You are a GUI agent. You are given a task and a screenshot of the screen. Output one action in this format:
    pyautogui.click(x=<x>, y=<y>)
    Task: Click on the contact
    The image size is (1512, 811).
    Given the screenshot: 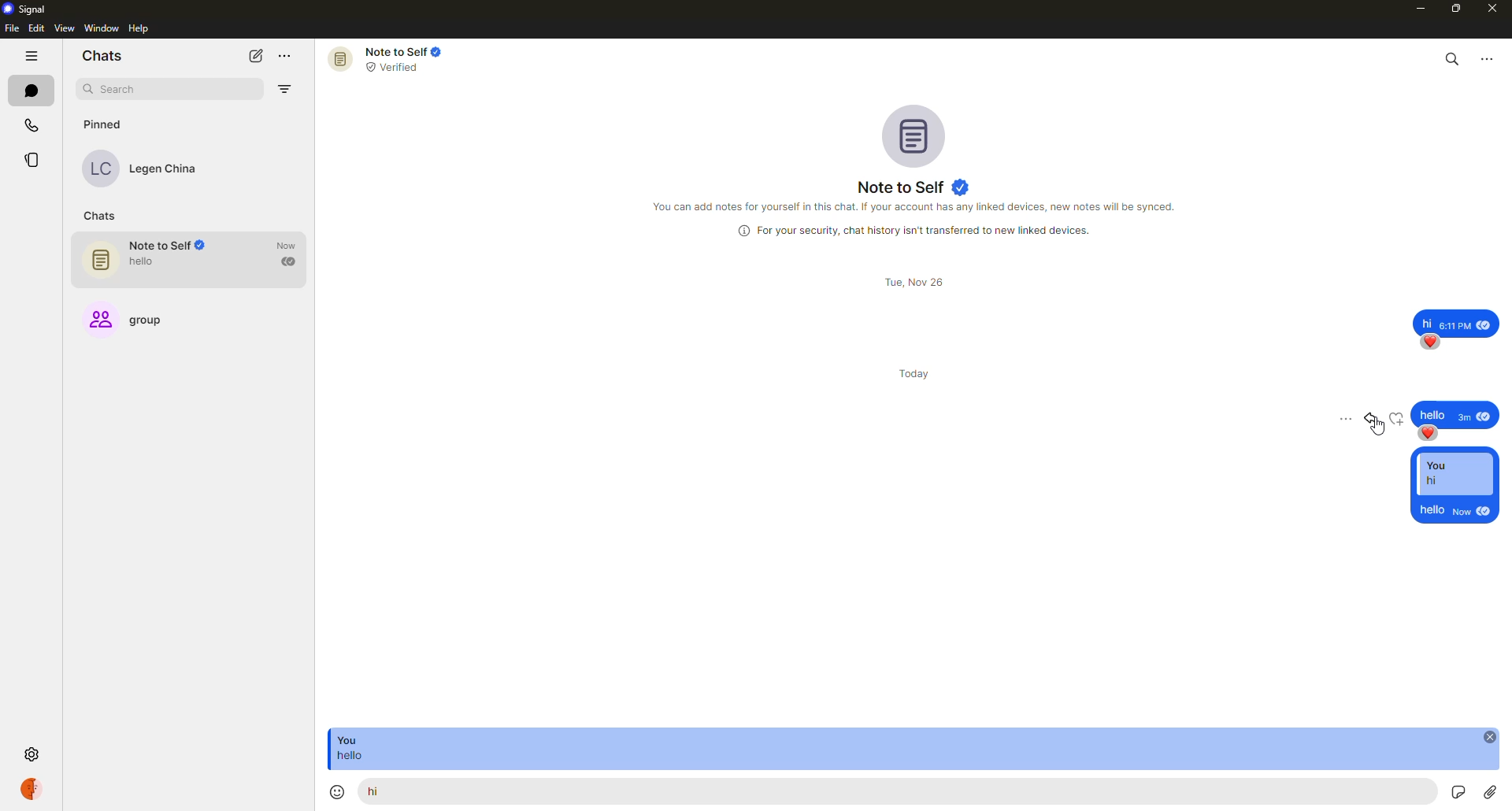 What is the action you would take?
    pyautogui.click(x=151, y=168)
    